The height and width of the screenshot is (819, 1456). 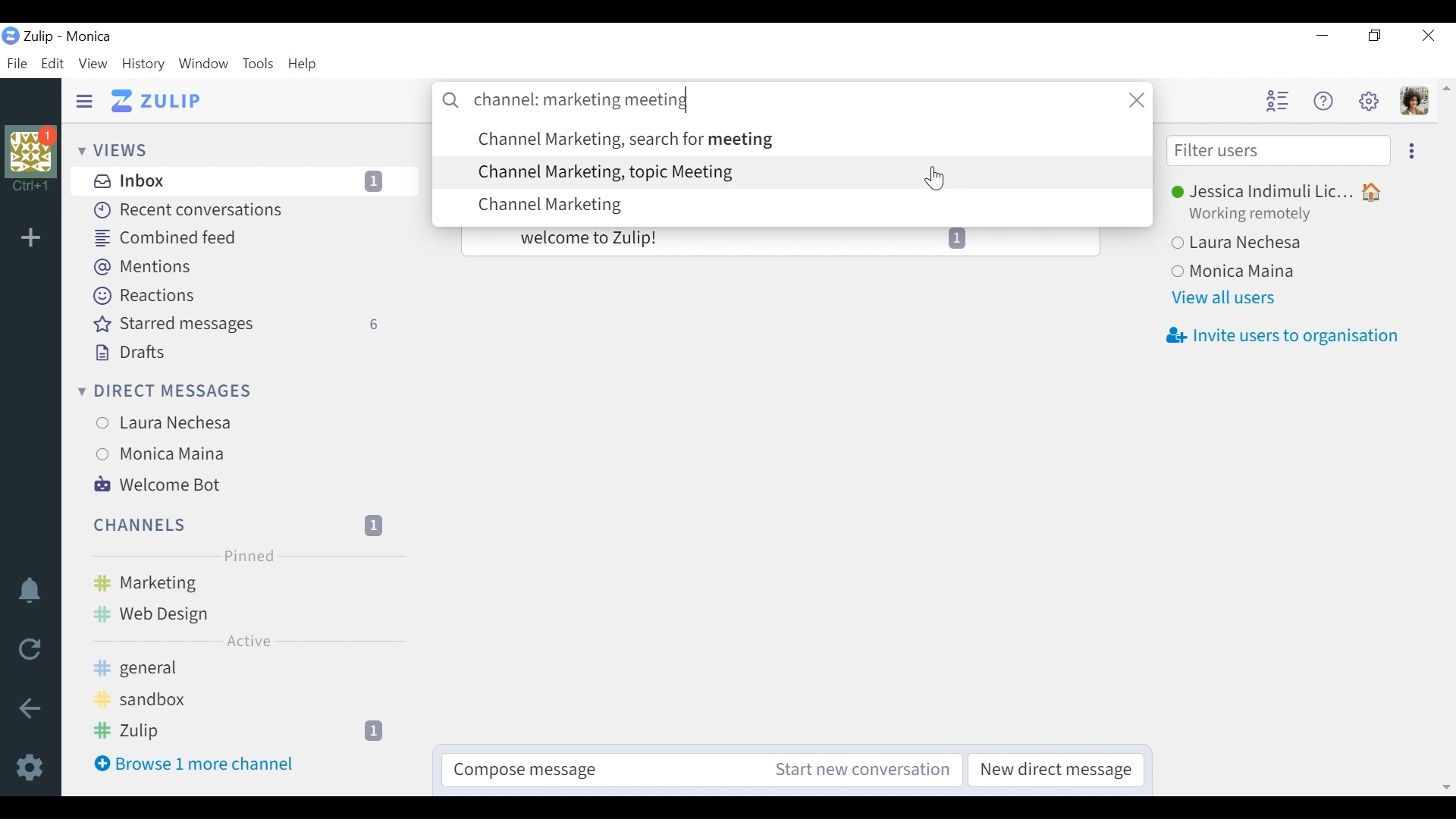 I want to click on Laura Nechesa, so click(x=1246, y=243).